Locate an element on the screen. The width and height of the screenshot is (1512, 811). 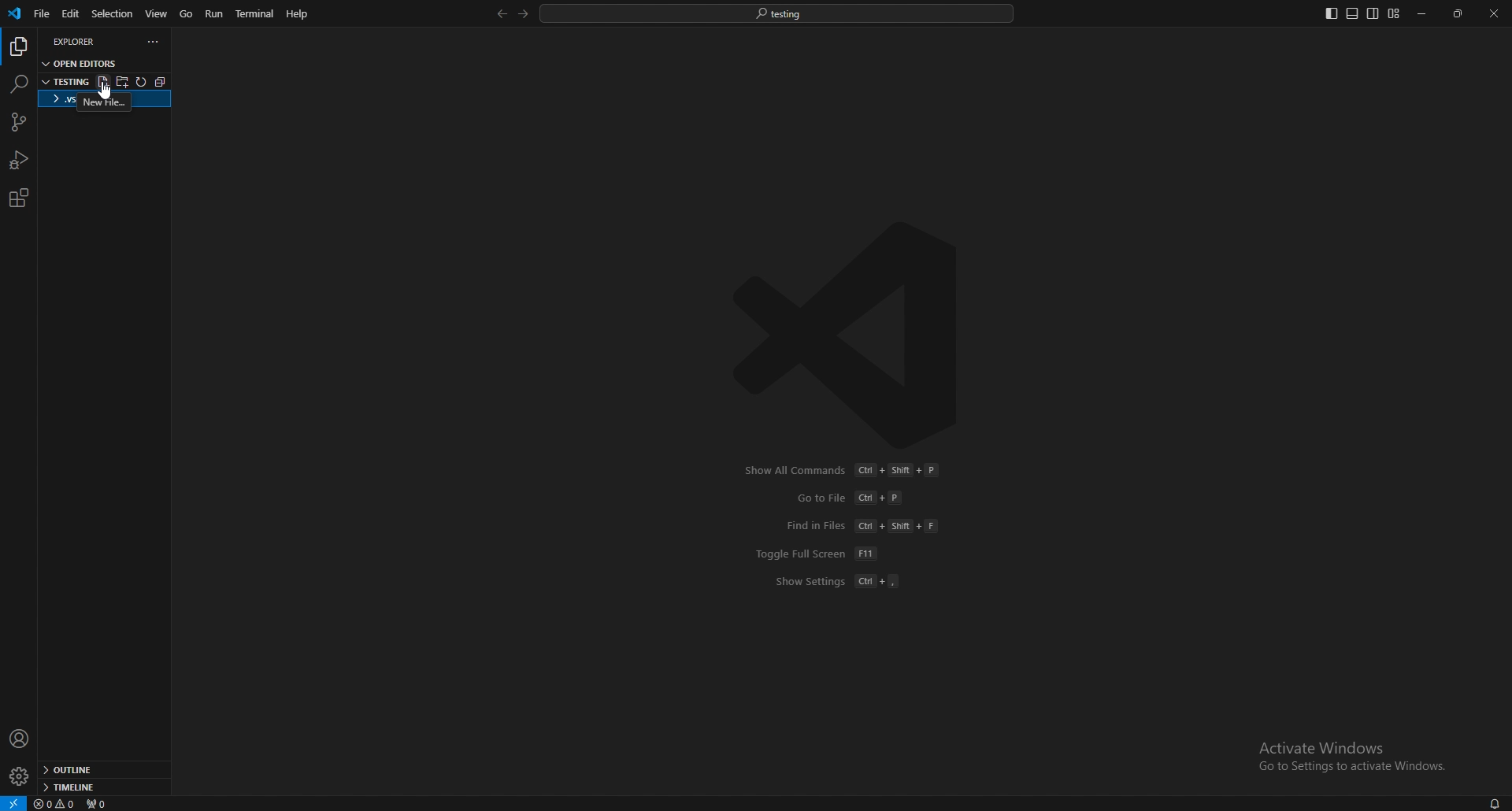
search bar is located at coordinates (777, 13).